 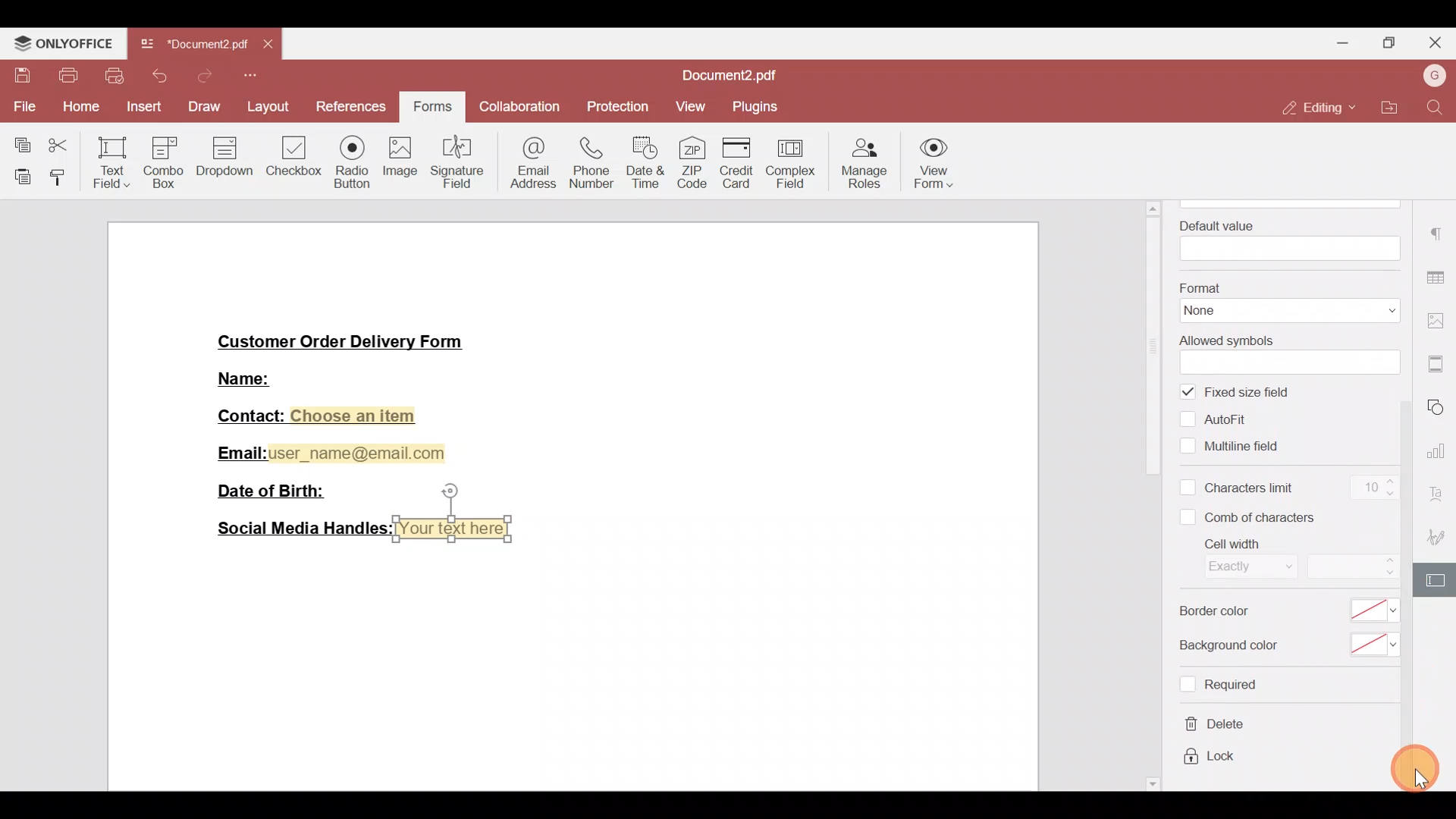 What do you see at coordinates (1285, 237) in the screenshot?
I see `Default value` at bounding box center [1285, 237].